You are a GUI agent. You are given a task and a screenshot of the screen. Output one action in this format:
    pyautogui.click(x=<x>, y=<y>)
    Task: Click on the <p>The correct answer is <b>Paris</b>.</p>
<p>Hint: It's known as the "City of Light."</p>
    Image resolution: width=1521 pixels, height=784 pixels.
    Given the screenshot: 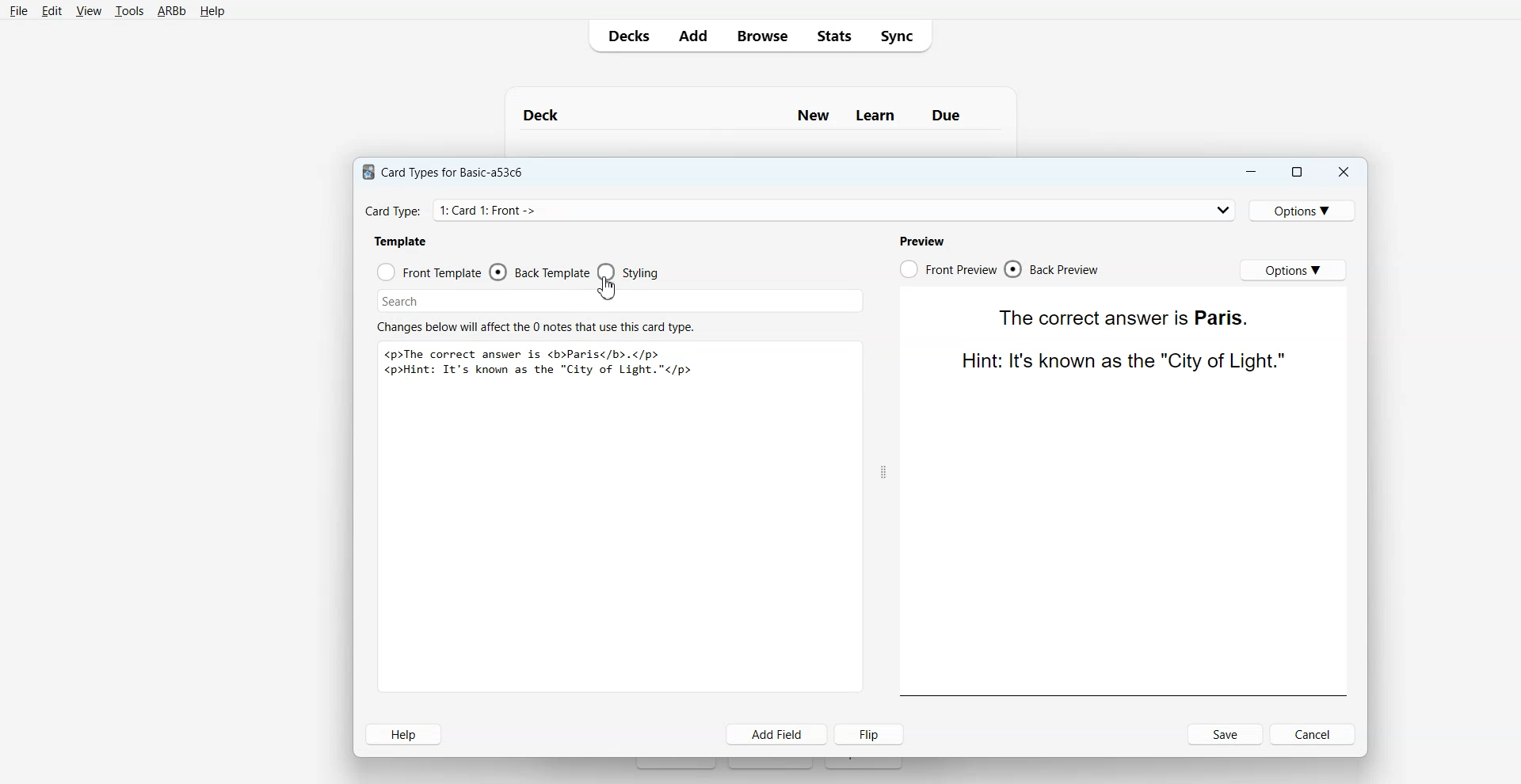 What is the action you would take?
    pyautogui.click(x=540, y=363)
    